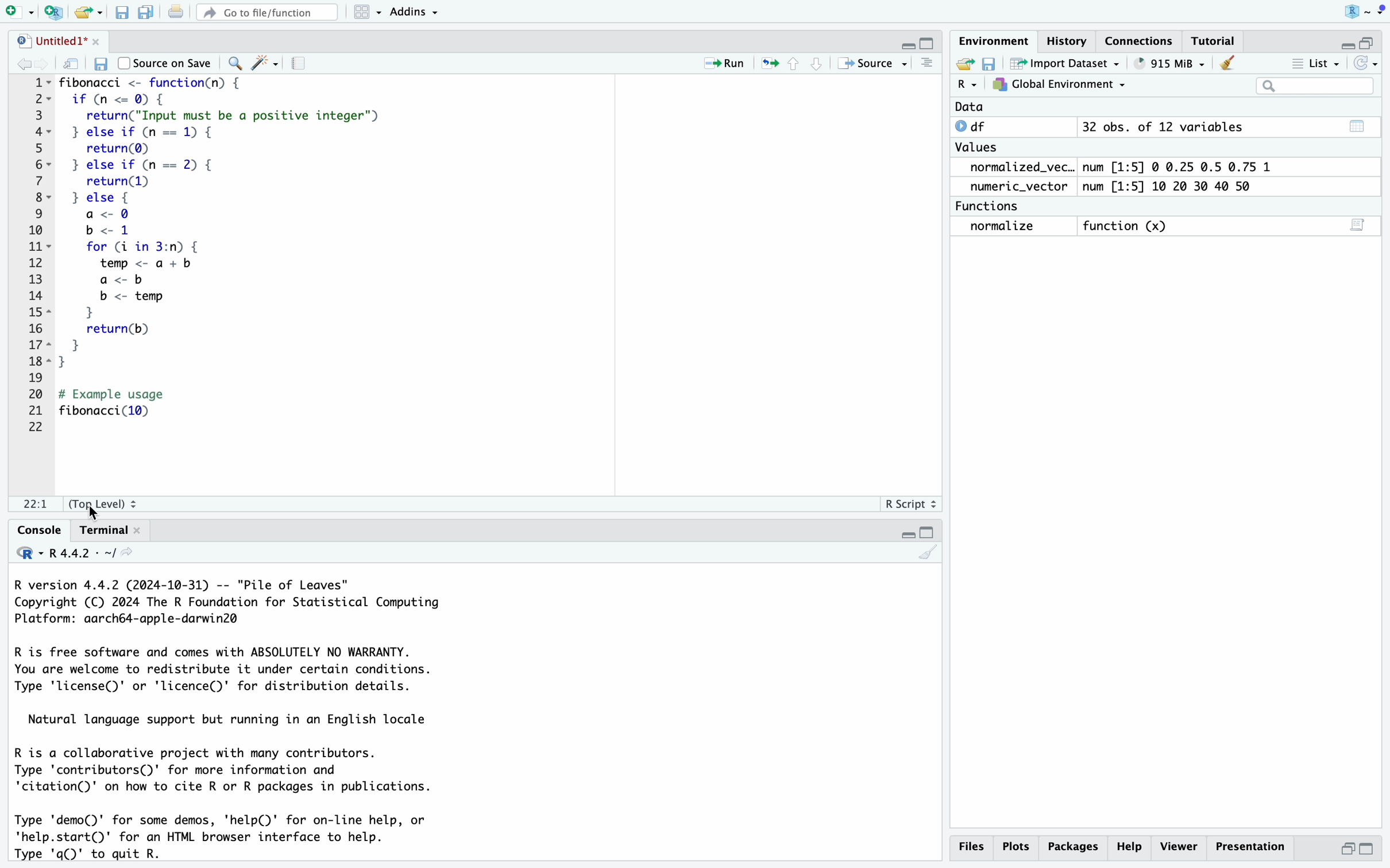  What do you see at coordinates (51, 41) in the screenshot?
I see `untitled1` at bounding box center [51, 41].